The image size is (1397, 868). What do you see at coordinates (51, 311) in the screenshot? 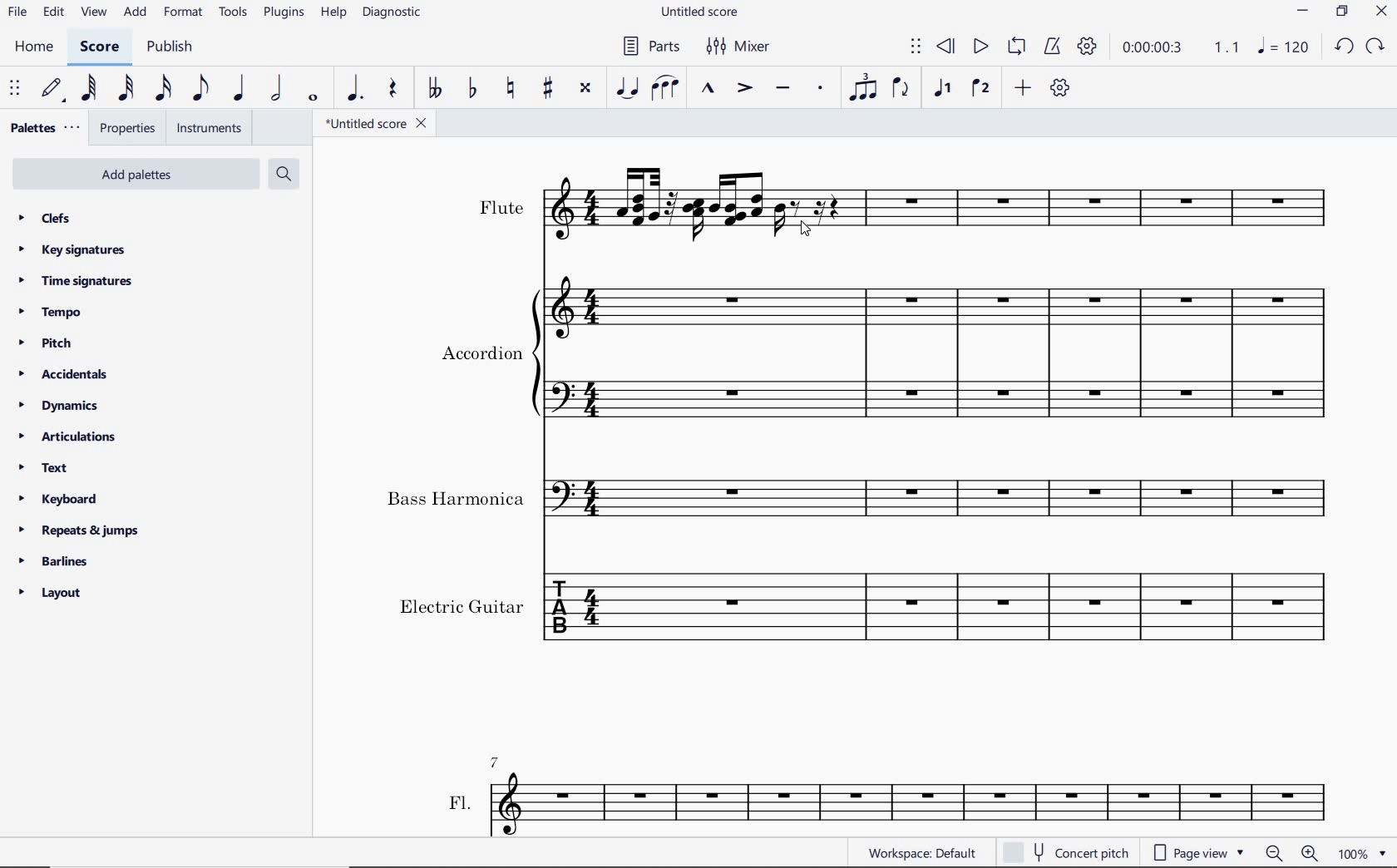
I see `tempo` at bounding box center [51, 311].